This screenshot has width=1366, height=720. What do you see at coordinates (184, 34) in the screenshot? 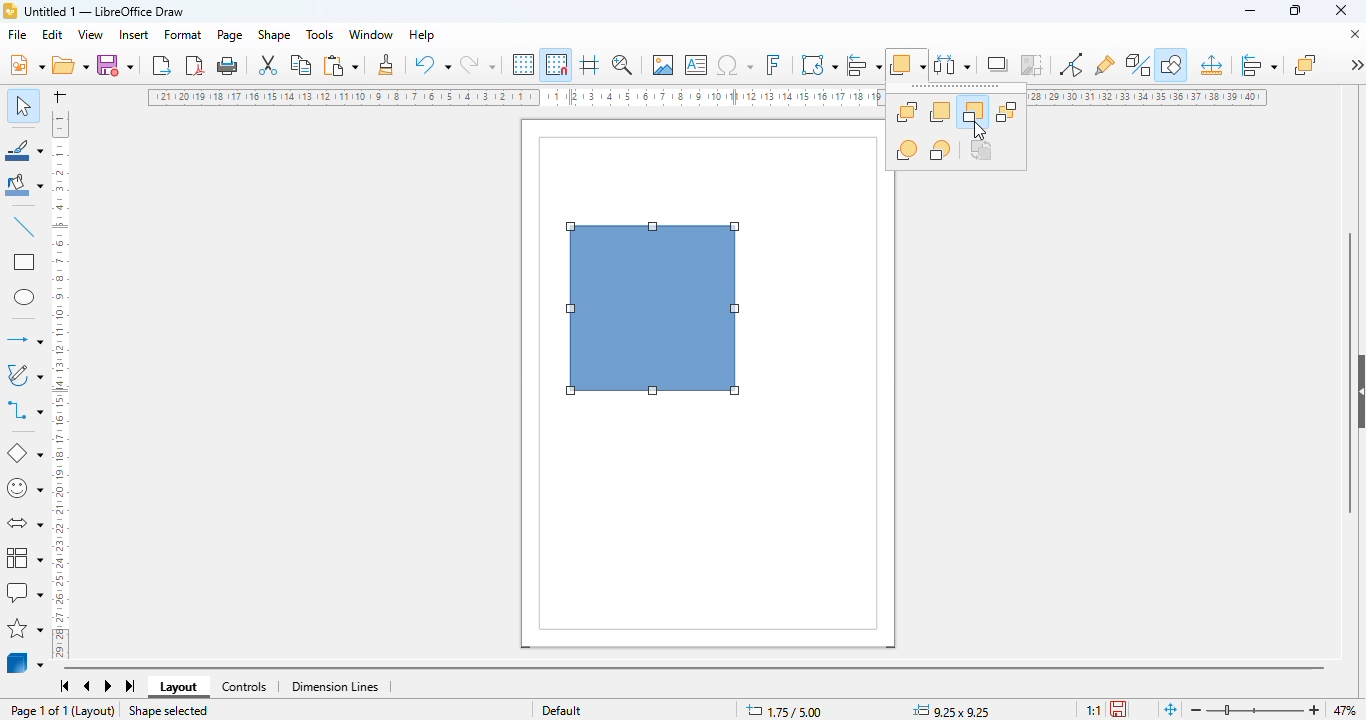
I see `format` at bounding box center [184, 34].